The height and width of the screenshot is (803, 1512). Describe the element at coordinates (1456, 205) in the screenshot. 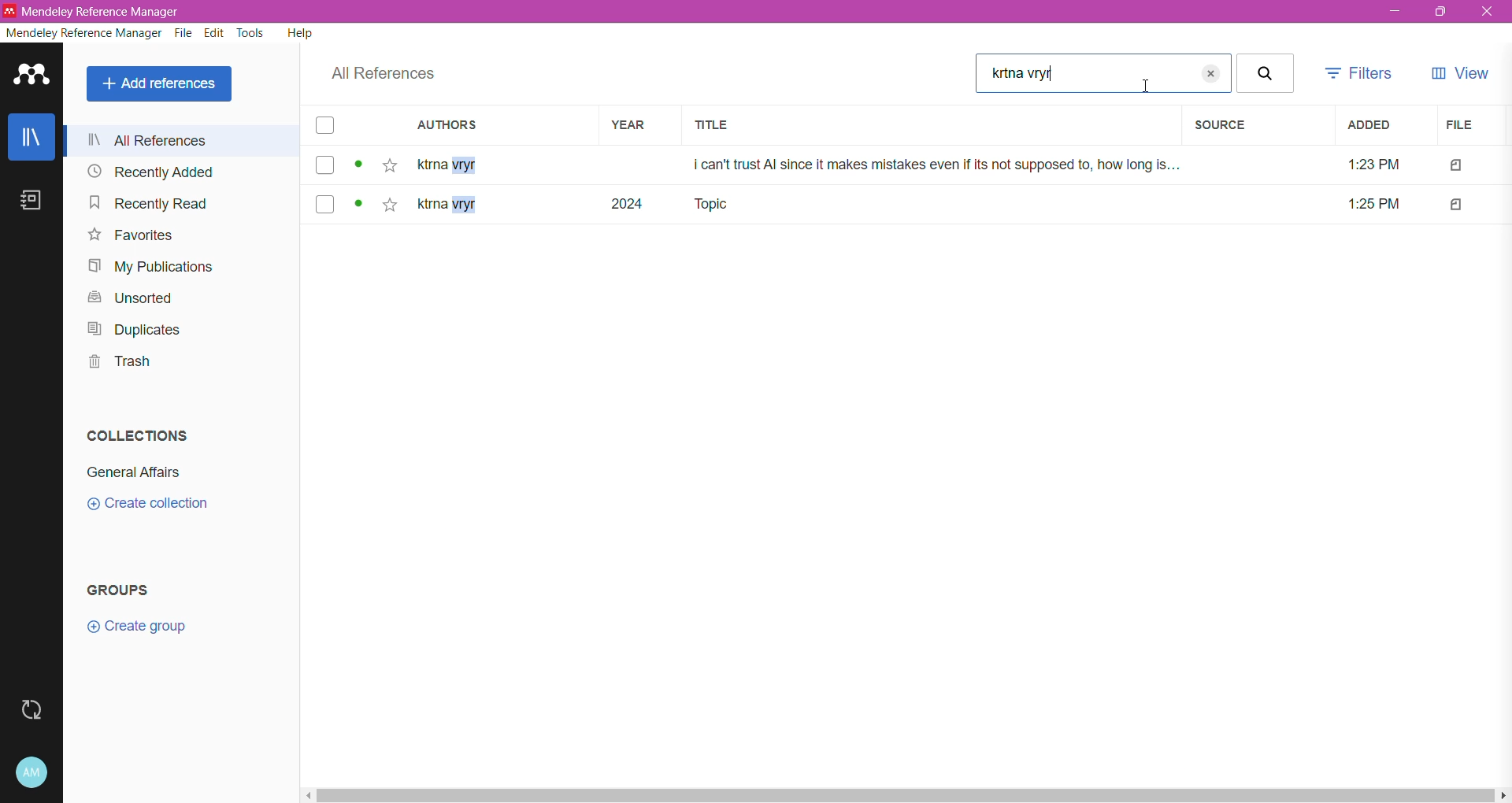

I see `file type` at that location.